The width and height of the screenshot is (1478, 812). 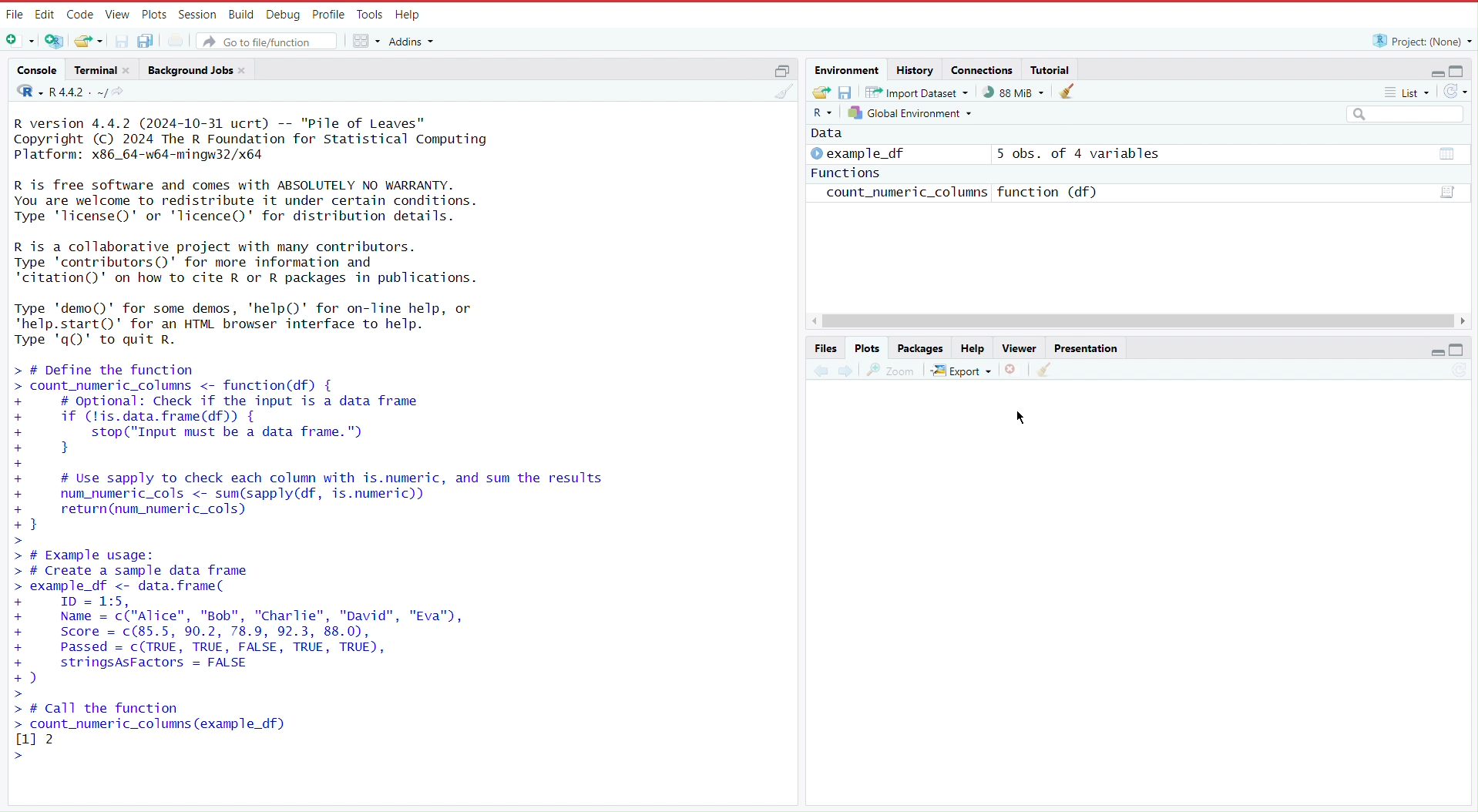 What do you see at coordinates (972, 348) in the screenshot?
I see `Help` at bounding box center [972, 348].